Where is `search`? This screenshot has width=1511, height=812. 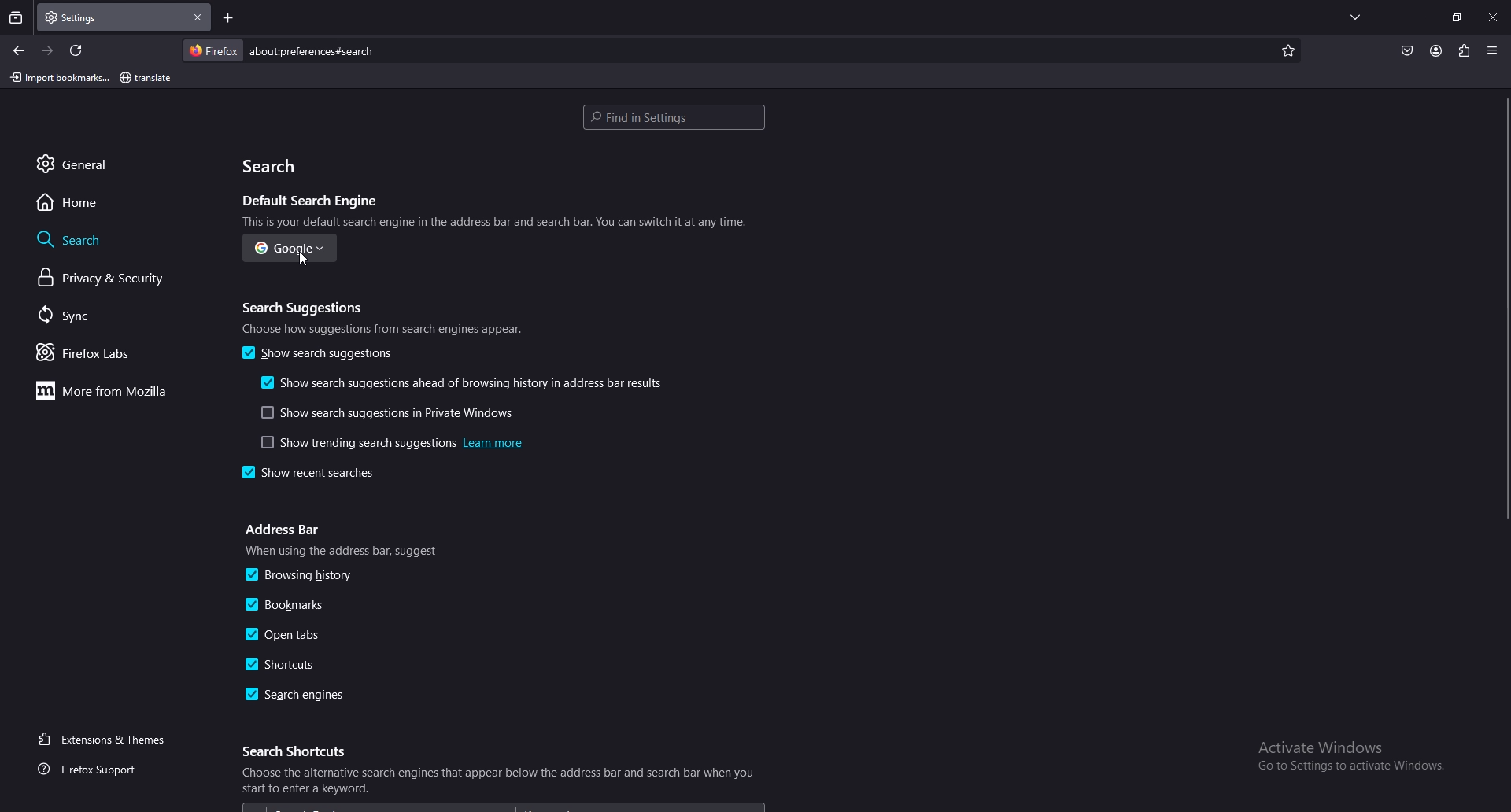 search is located at coordinates (720, 51).